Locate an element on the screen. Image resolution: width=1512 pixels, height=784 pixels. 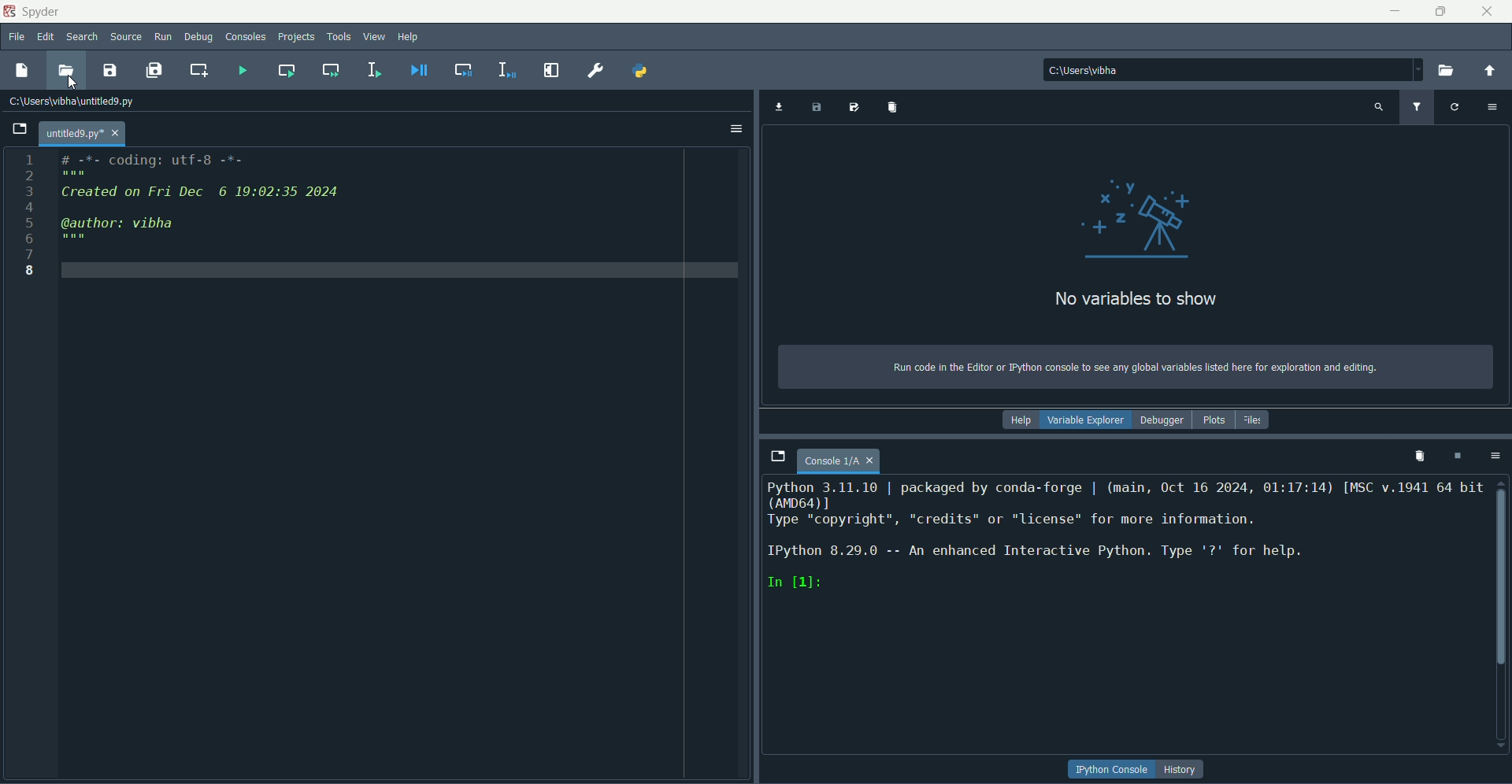
debug cell is located at coordinates (462, 69).